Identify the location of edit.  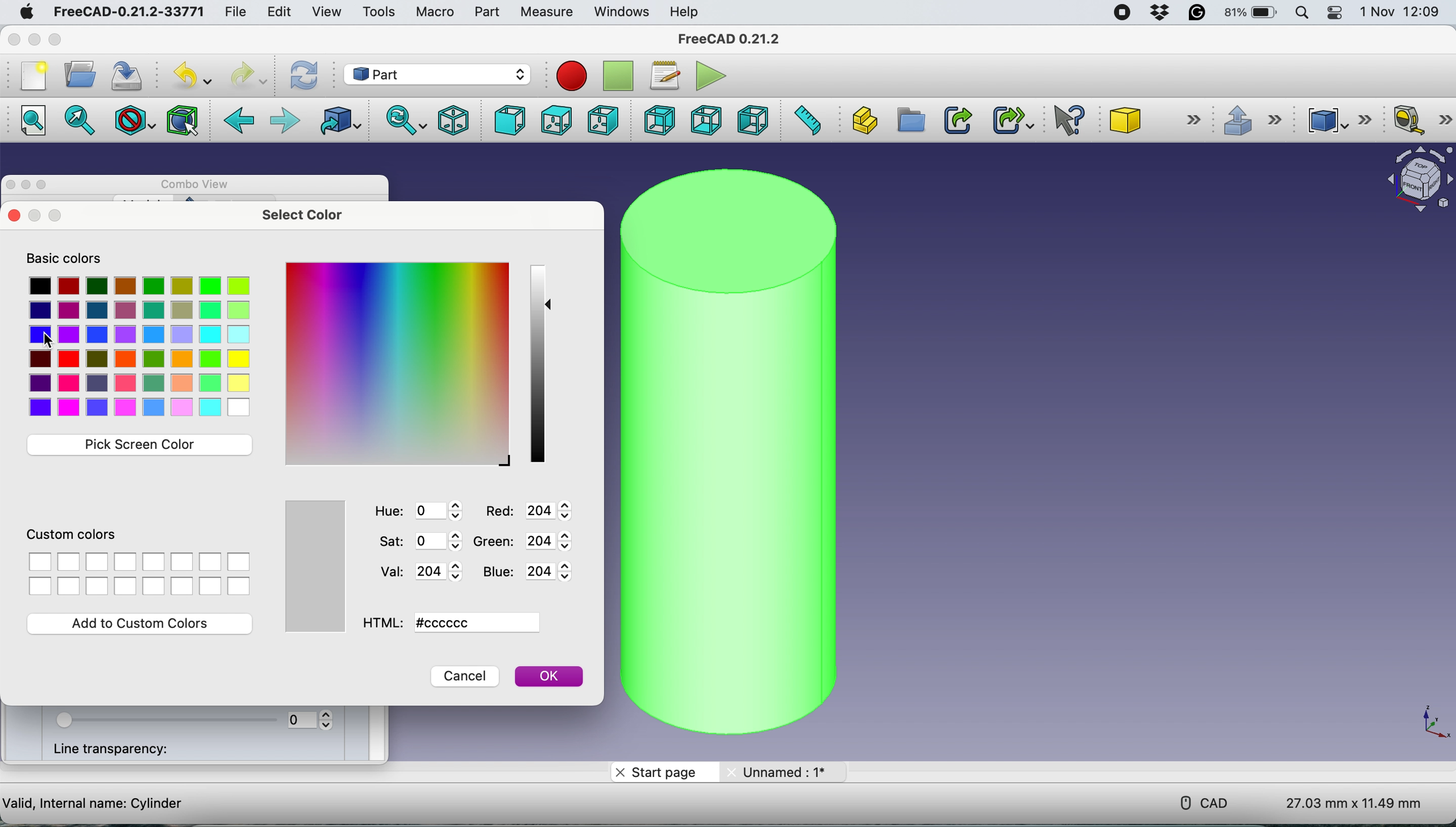
(282, 13).